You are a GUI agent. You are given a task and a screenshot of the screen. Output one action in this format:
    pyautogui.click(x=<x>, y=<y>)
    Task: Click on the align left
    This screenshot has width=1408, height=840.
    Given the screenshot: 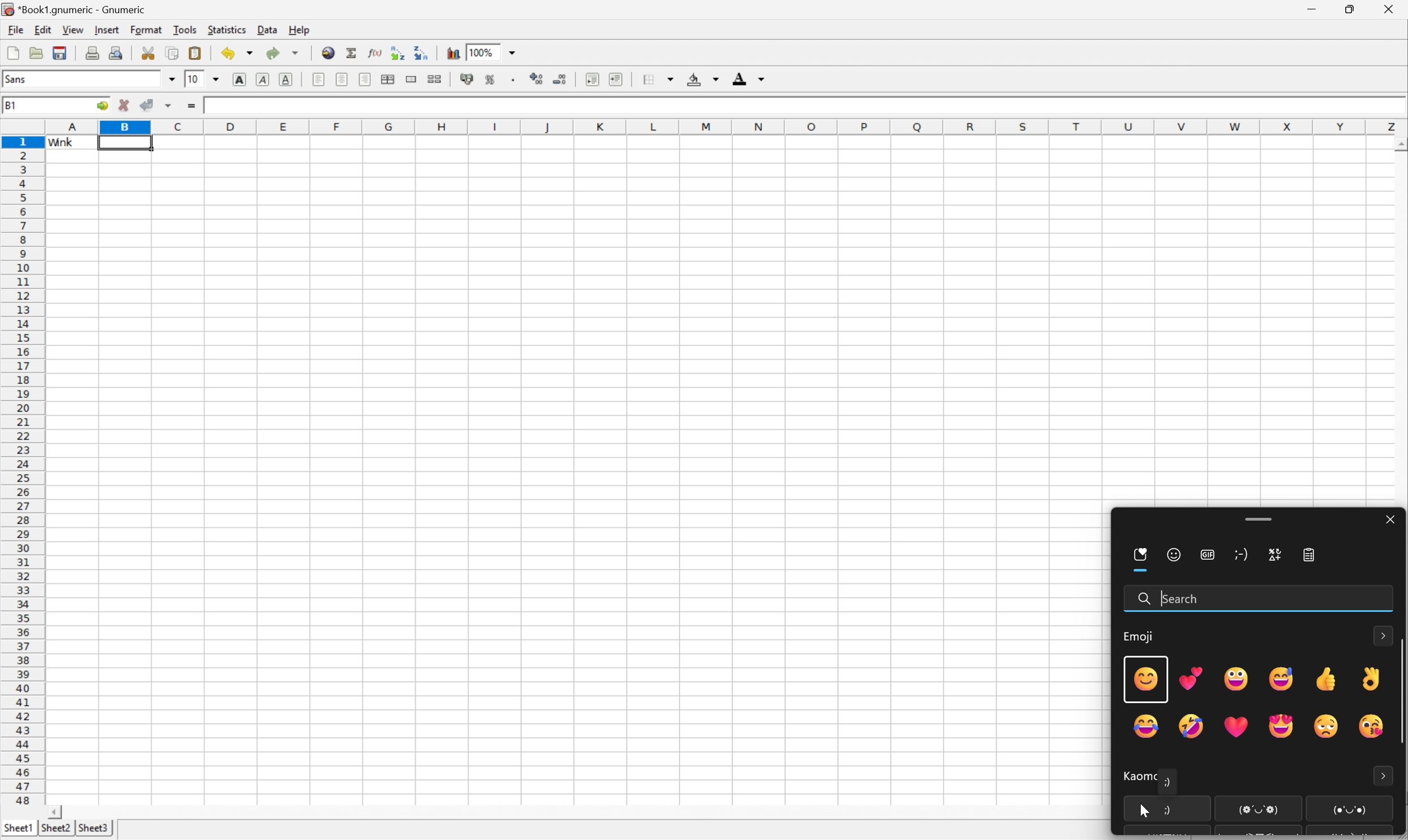 What is the action you would take?
    pyautogui.click(x=320, y=79)
    